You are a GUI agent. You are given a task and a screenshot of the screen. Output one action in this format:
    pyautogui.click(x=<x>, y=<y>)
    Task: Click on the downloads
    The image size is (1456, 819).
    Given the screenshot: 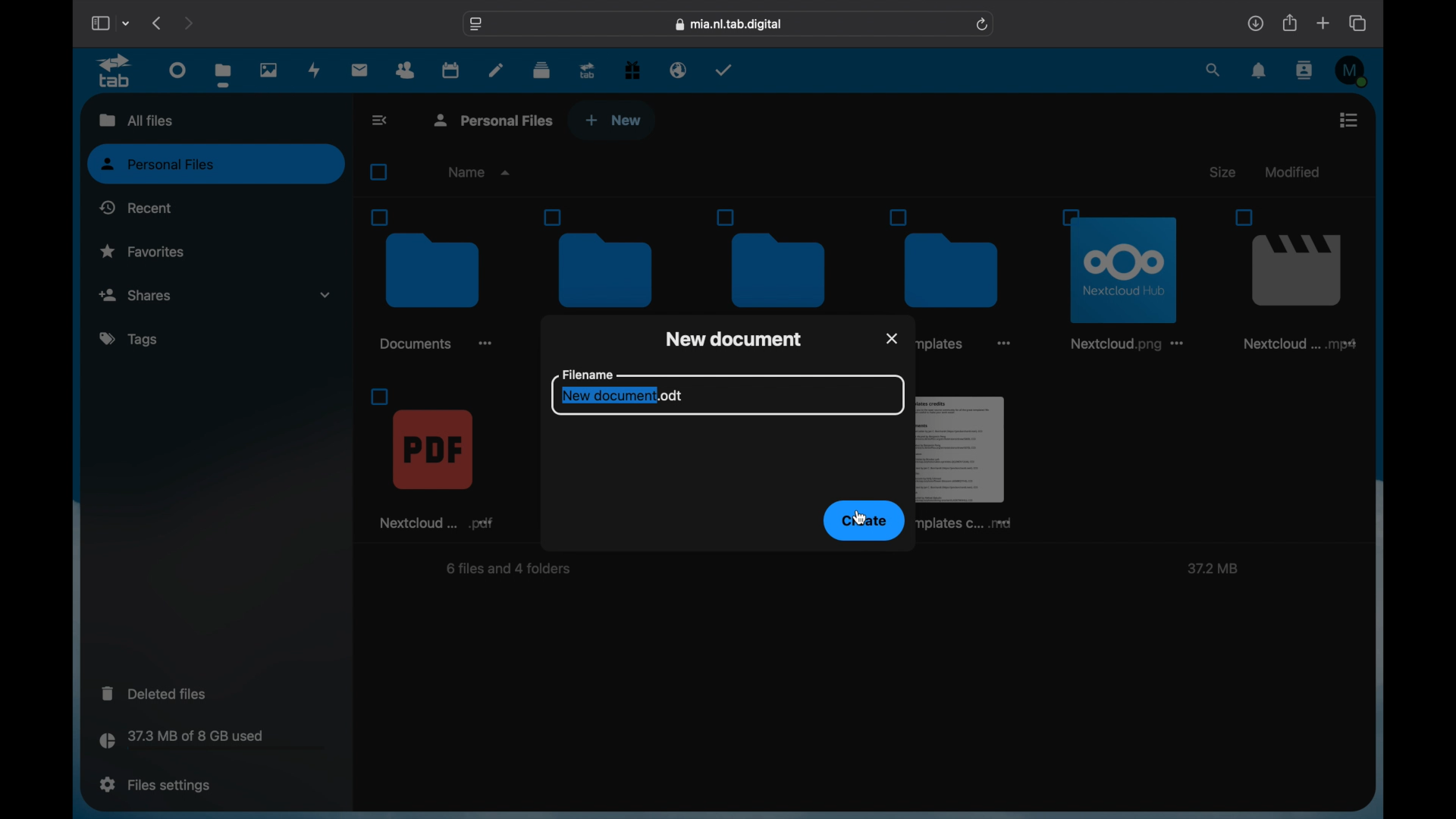 What is the action you would take?
    pyautogui.click(x=1255, y=23)
    